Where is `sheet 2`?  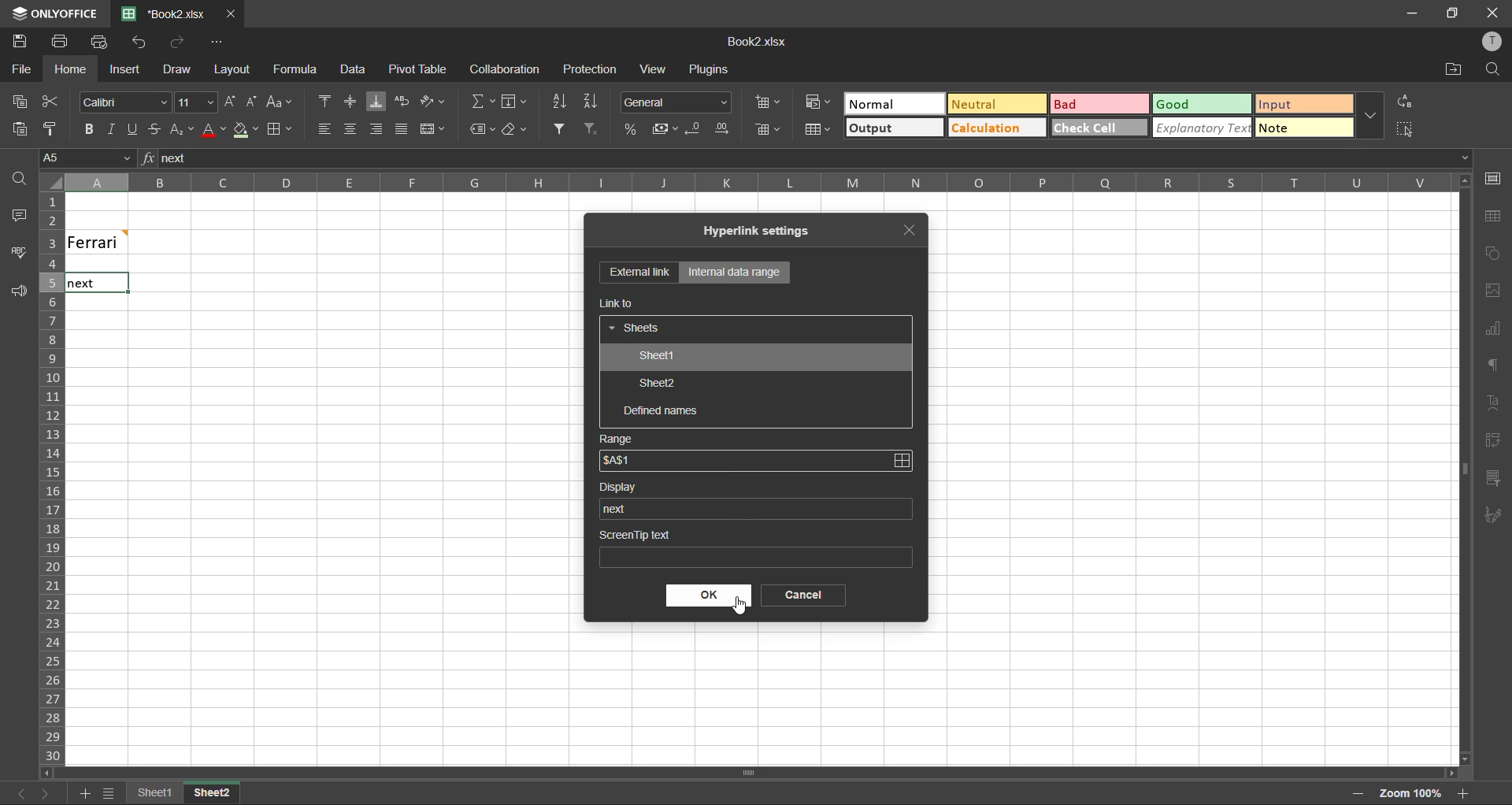 sheet 2 is located at coordinates (228, 794).